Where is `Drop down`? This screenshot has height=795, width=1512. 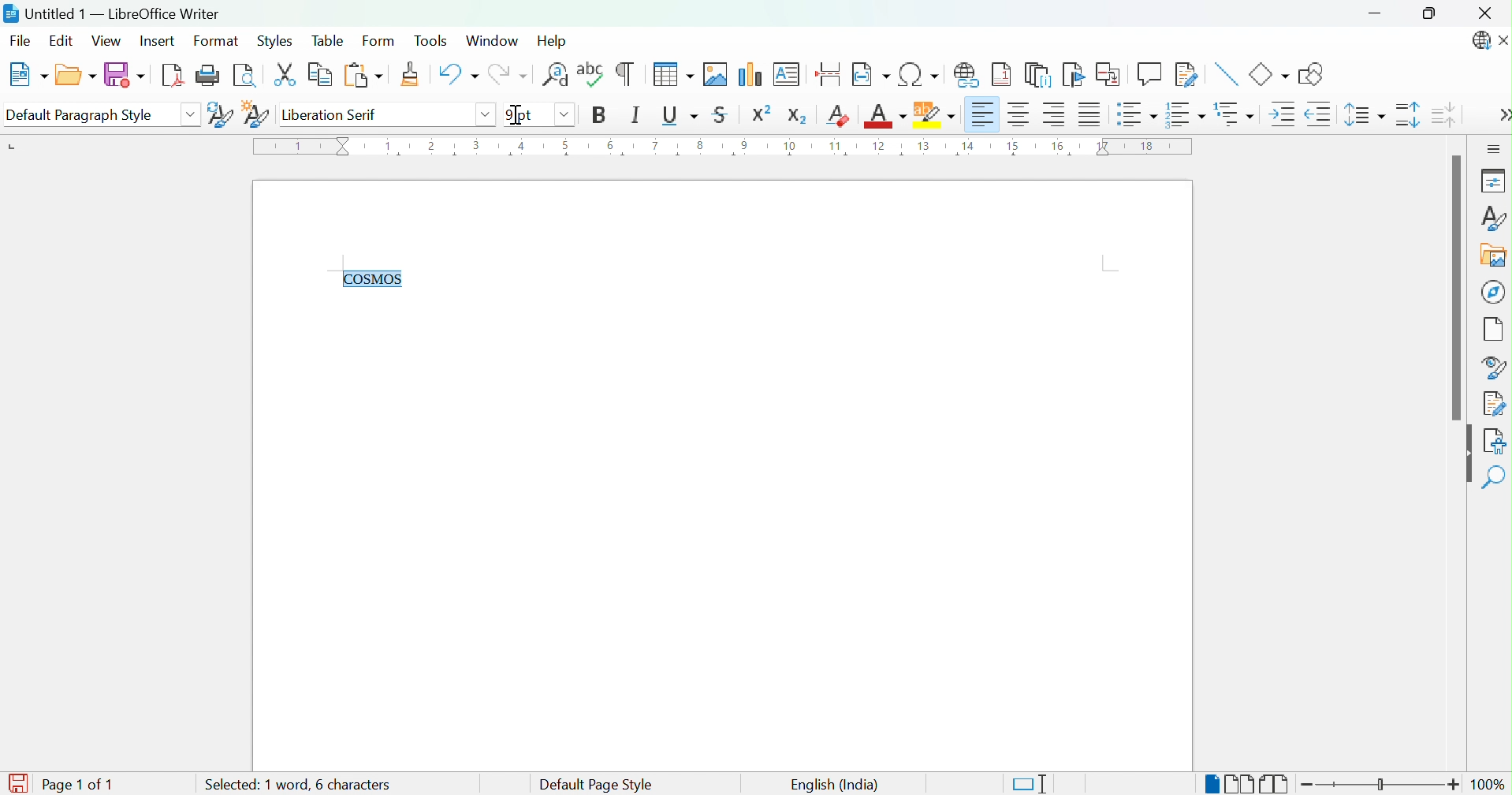 Drop down is located at coordinates (484, 114).